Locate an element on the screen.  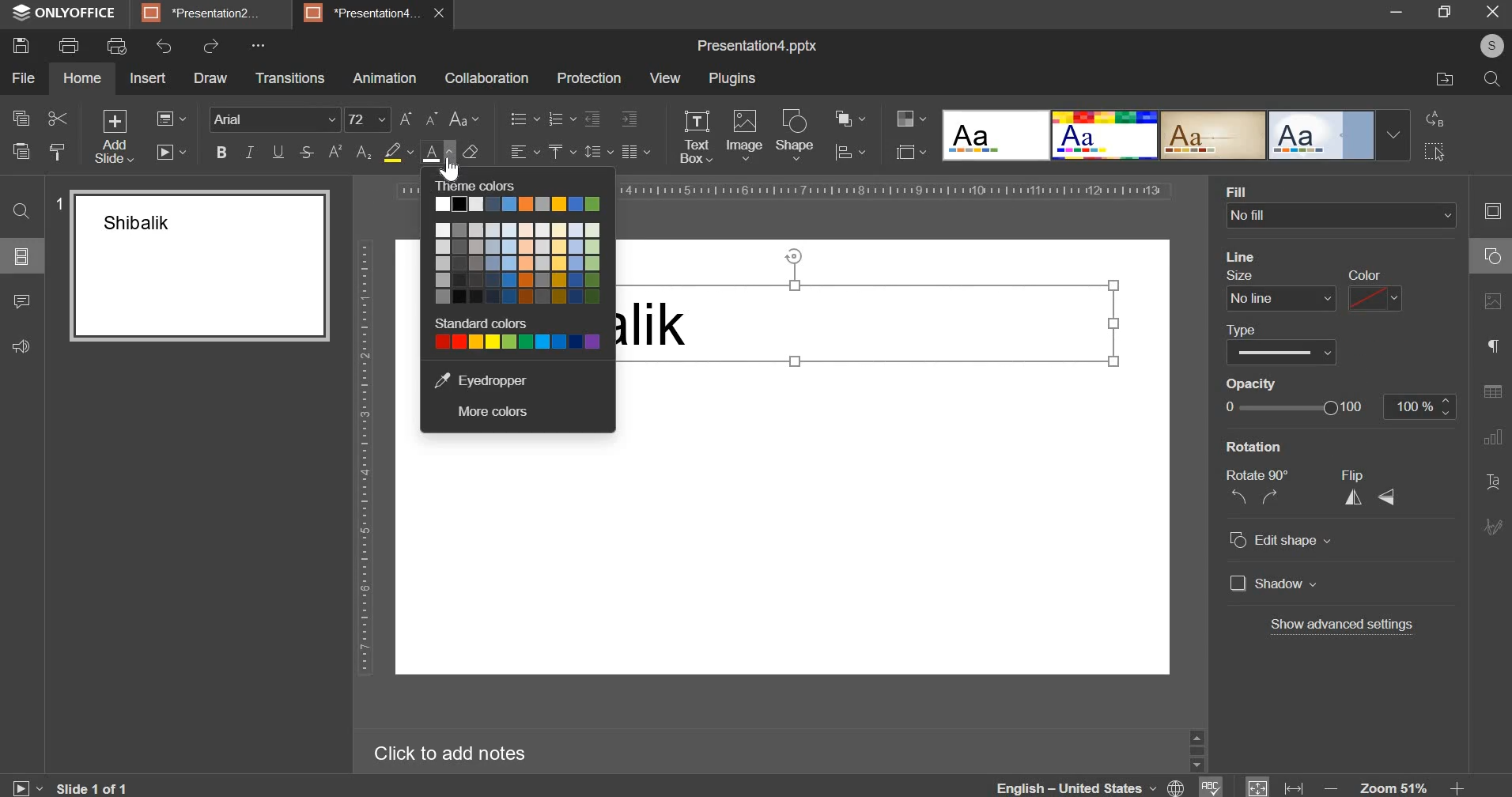
Click to add notes is located at coordinates (462, 752).